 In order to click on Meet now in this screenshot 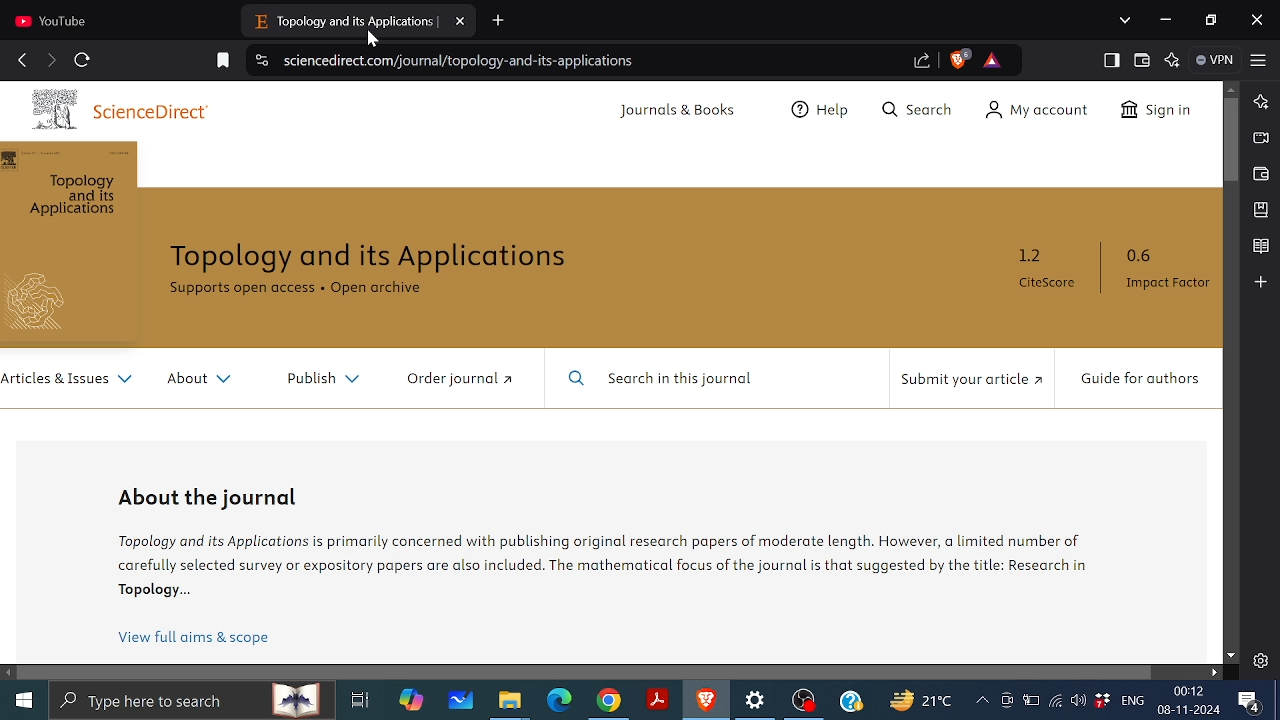, I will do `click(1006, 700)`.